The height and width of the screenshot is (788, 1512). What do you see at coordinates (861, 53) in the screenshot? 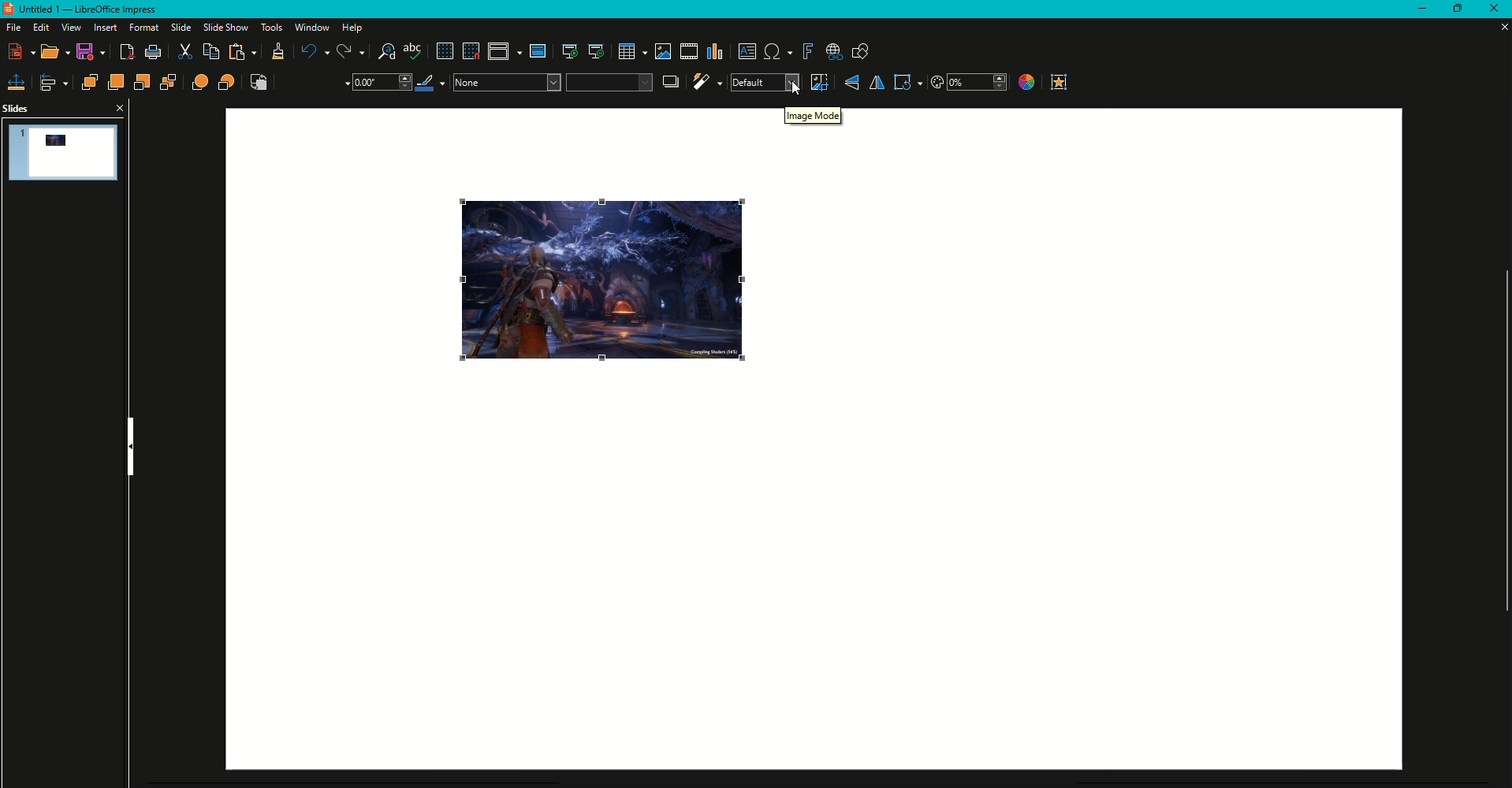
I see `Draw Function` at bounding box center [861, 53].